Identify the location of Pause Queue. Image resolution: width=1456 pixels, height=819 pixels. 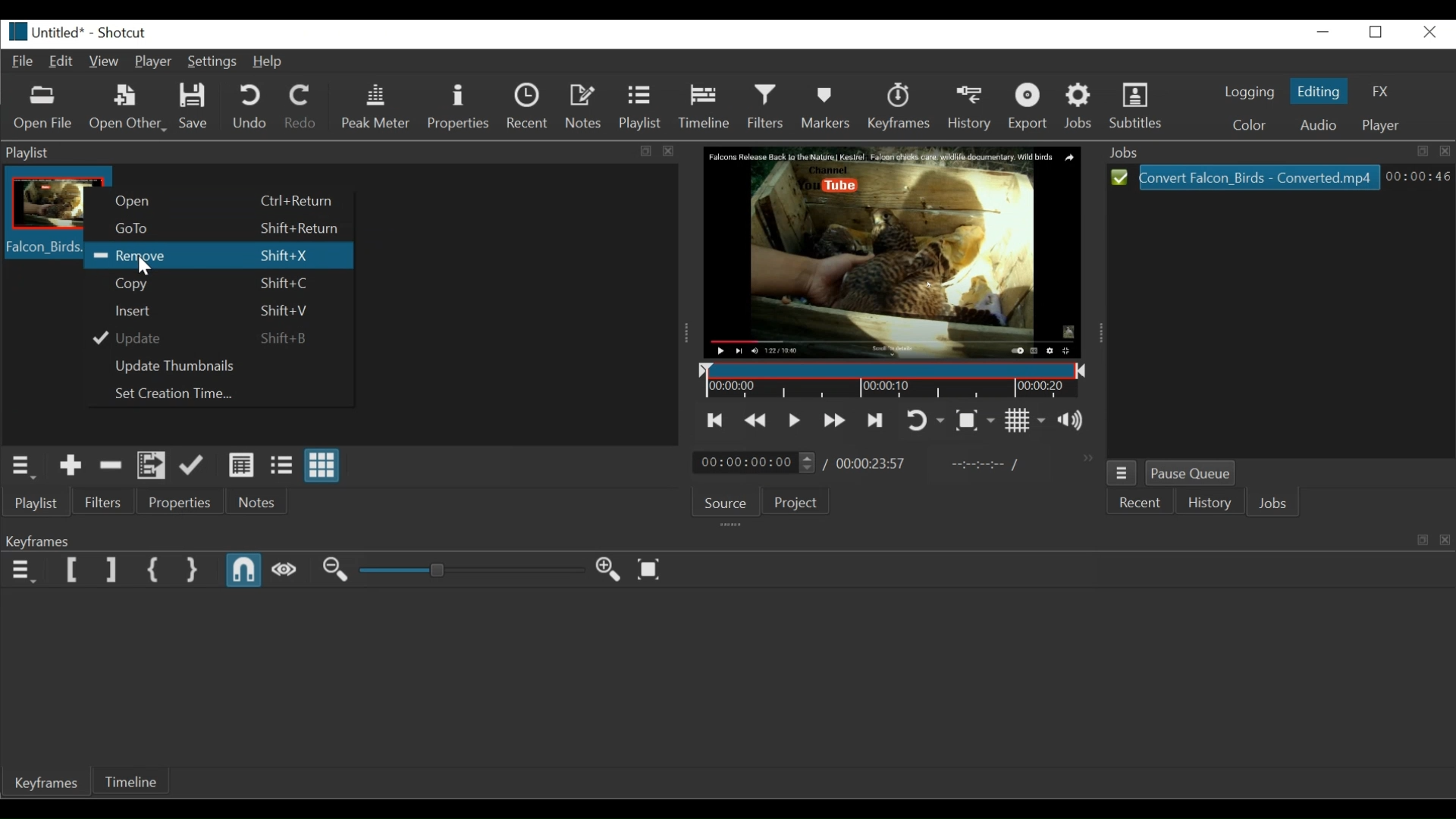
(1193, 472).